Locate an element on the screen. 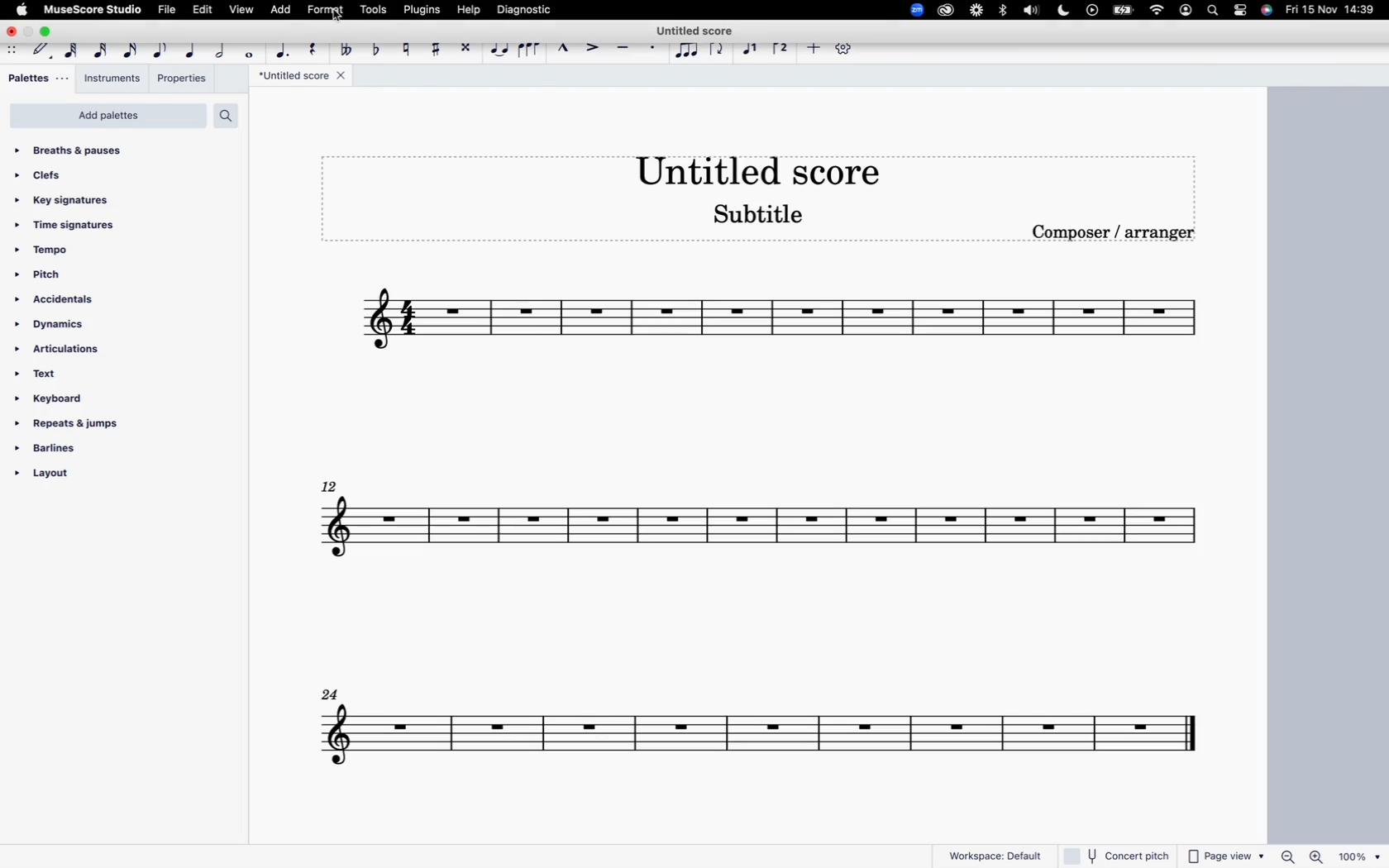 This screenshot has height=868, width=1389. score is located at coordinates (756, 533).